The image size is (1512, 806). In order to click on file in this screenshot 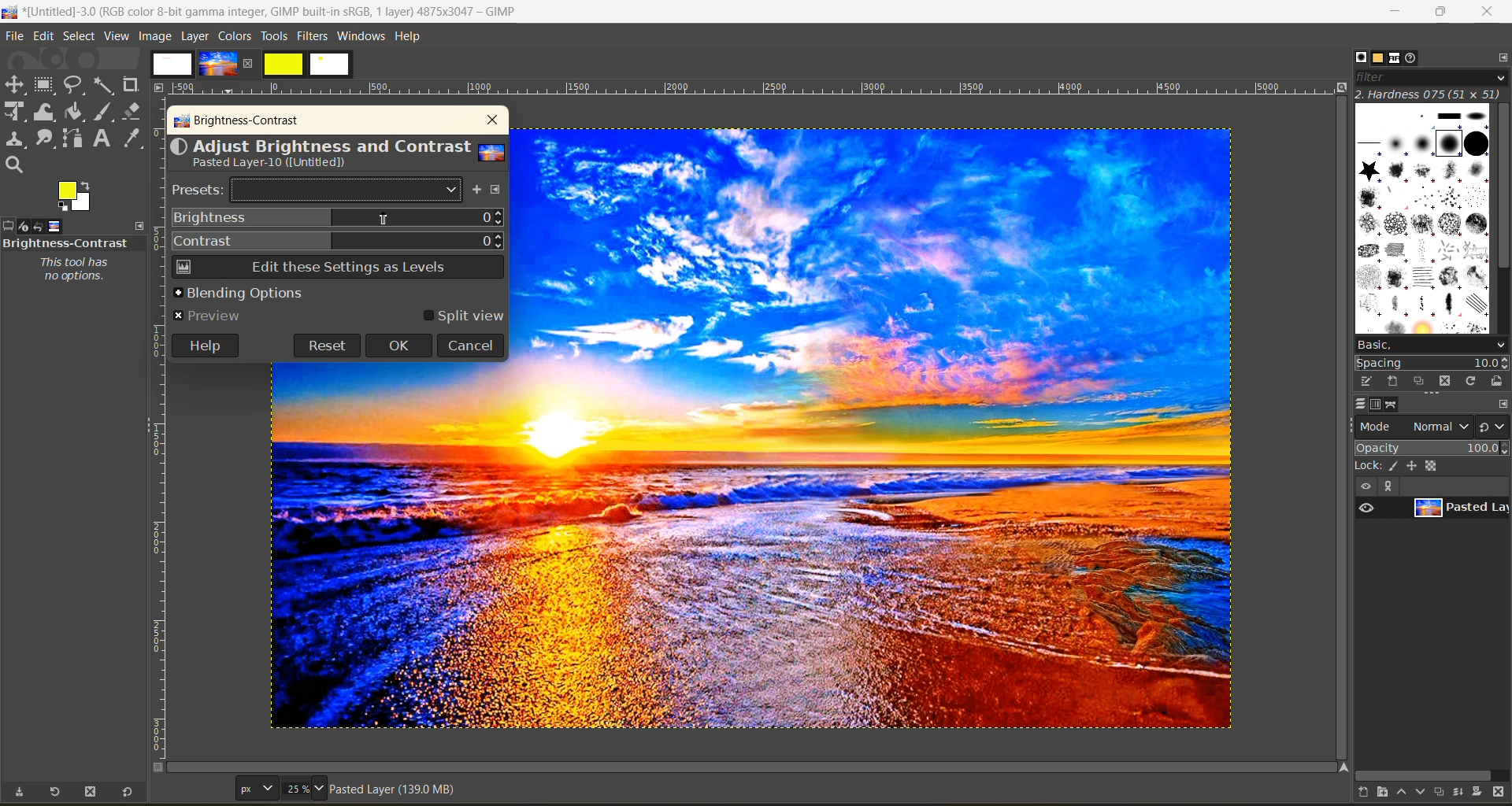, I will do `click(13, 38)`.